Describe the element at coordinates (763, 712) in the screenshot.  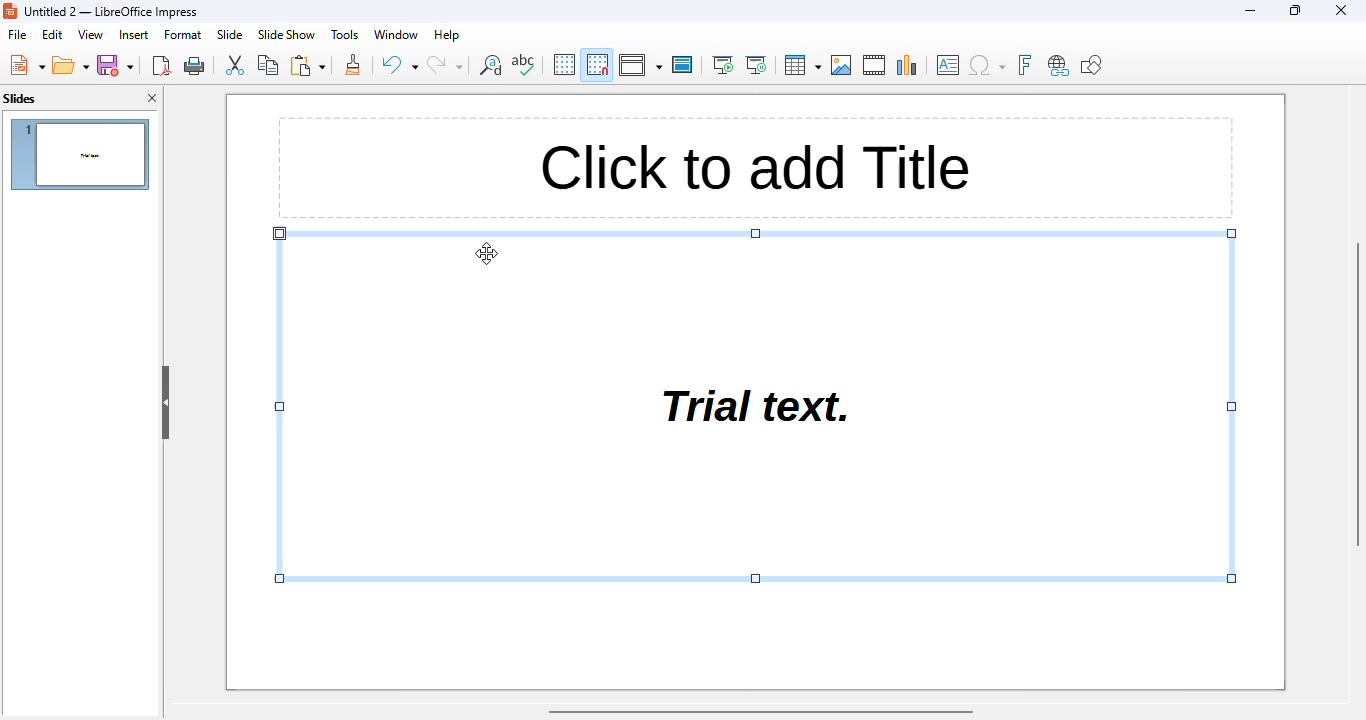
I see `horizontal scroll bar` at that location.